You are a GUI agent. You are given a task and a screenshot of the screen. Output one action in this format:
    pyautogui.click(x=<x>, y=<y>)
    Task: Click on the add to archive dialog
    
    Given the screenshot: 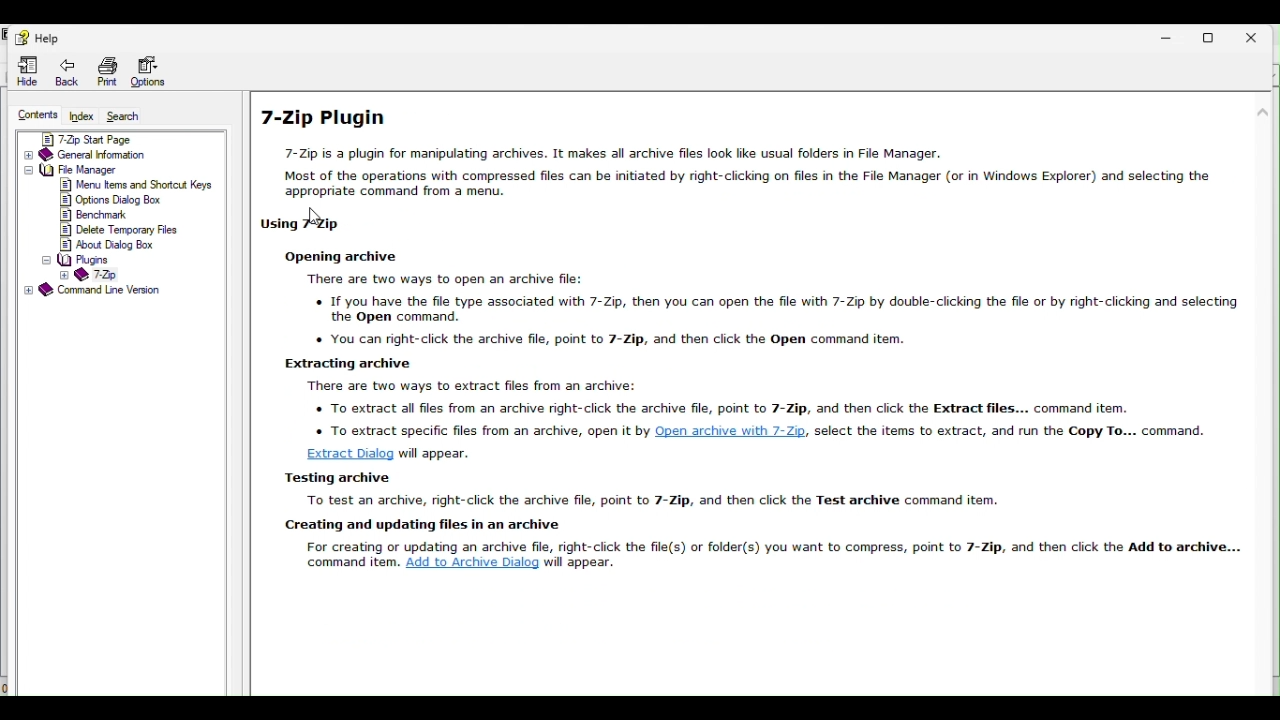 What is the action you would take?
    pyautogui.click(x=467, y=564)
    